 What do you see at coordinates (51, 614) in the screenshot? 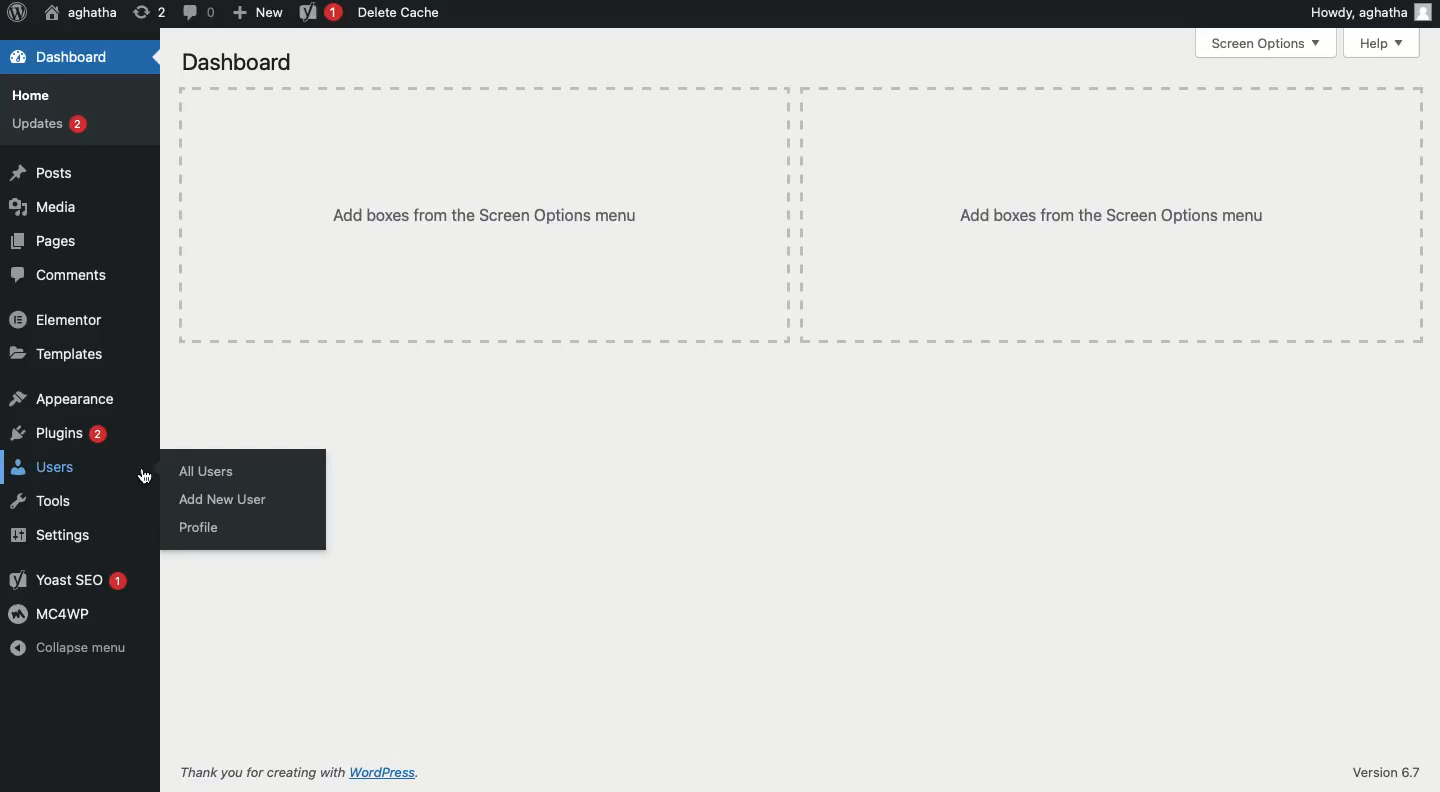
I see `MC4WP` at bounding box center [51, 614].